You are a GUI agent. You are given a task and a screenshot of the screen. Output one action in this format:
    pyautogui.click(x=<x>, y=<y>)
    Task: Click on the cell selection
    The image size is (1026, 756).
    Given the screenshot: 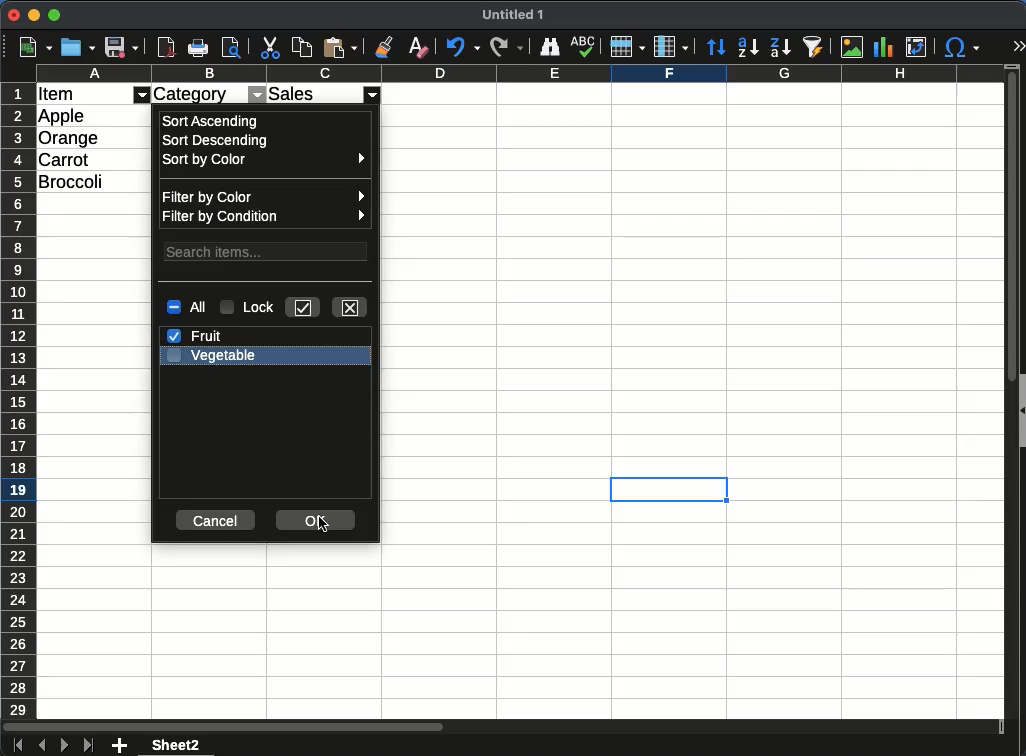 What is the action you would take?
    pyautogui.click(x=669, y=490)
    